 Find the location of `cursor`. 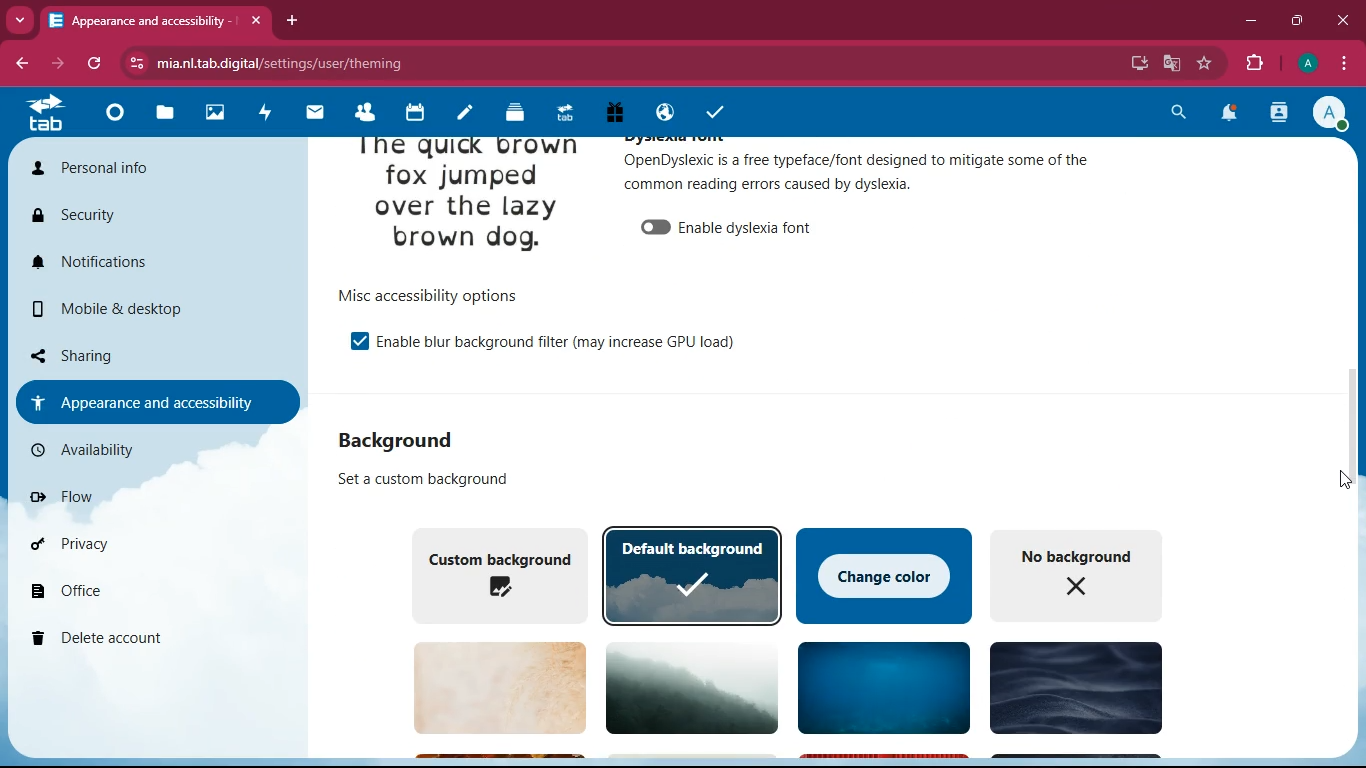

cursor is located at coordinates (1339, 478).